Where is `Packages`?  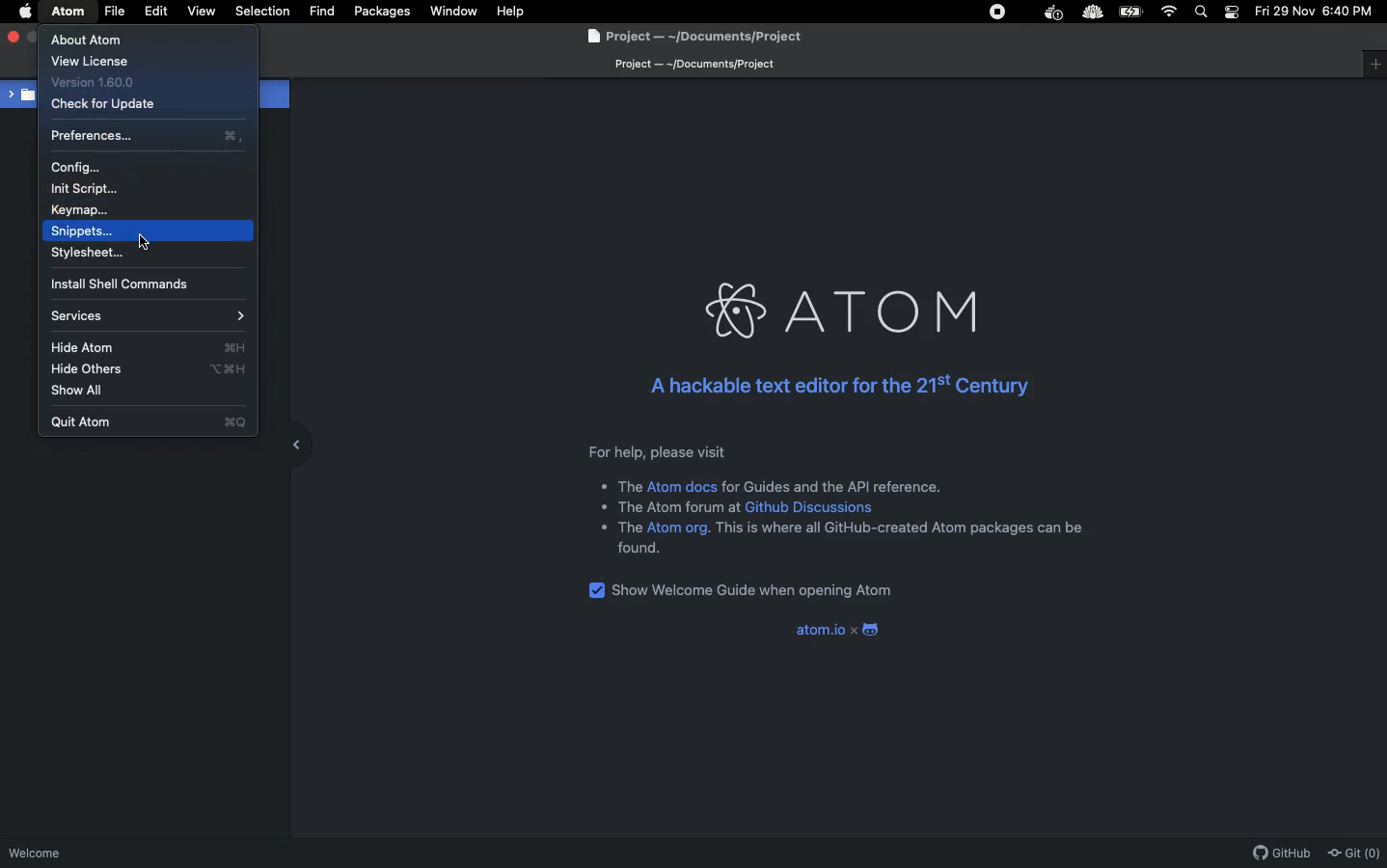
Packages is located at coordinates (385, 14).